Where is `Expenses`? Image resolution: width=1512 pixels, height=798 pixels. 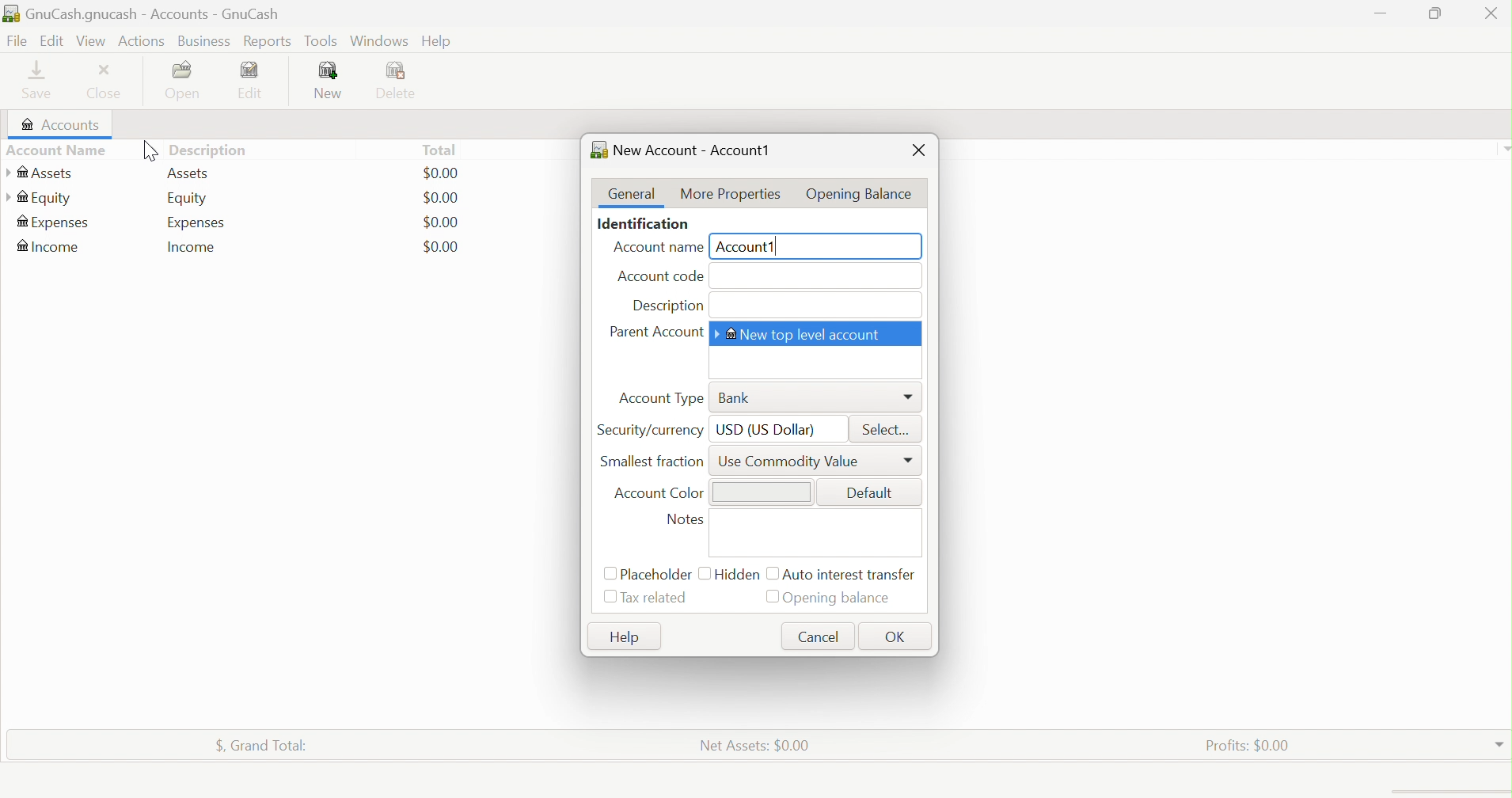
Expenses is located at coordinates (197, 222).